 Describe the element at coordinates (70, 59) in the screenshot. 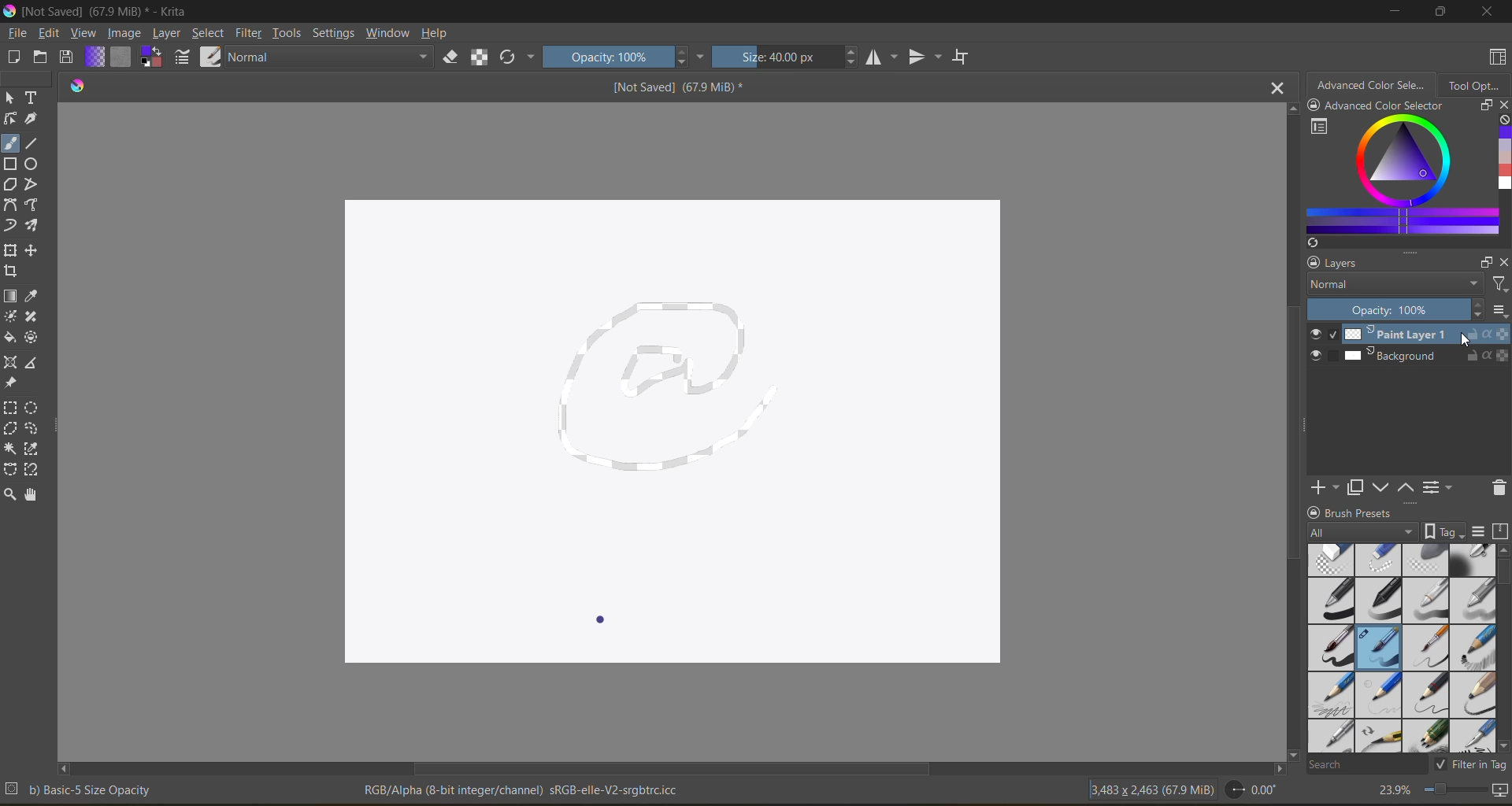

I see `save` at that location.